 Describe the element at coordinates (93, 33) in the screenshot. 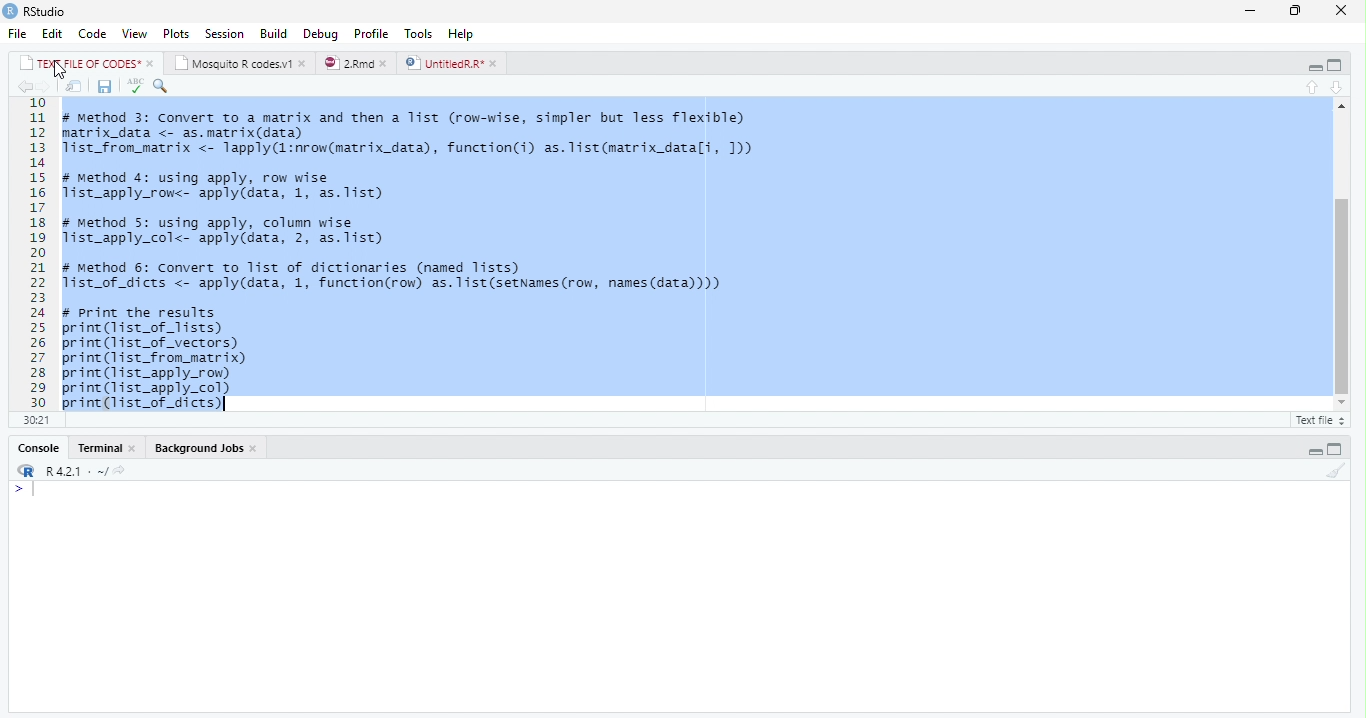

I see `Code` at that location.